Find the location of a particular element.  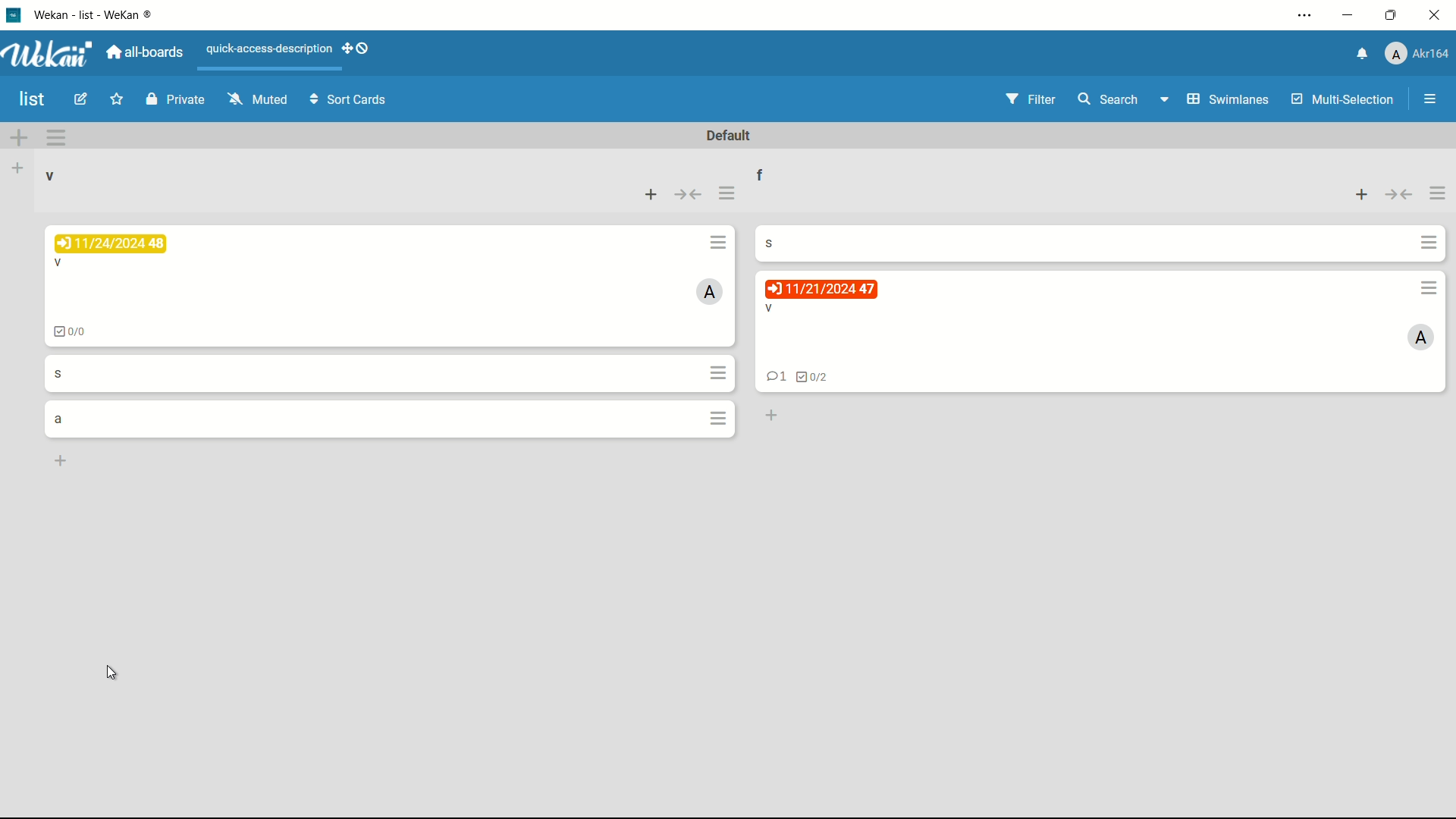

admin is located at coordinates (711, 291).